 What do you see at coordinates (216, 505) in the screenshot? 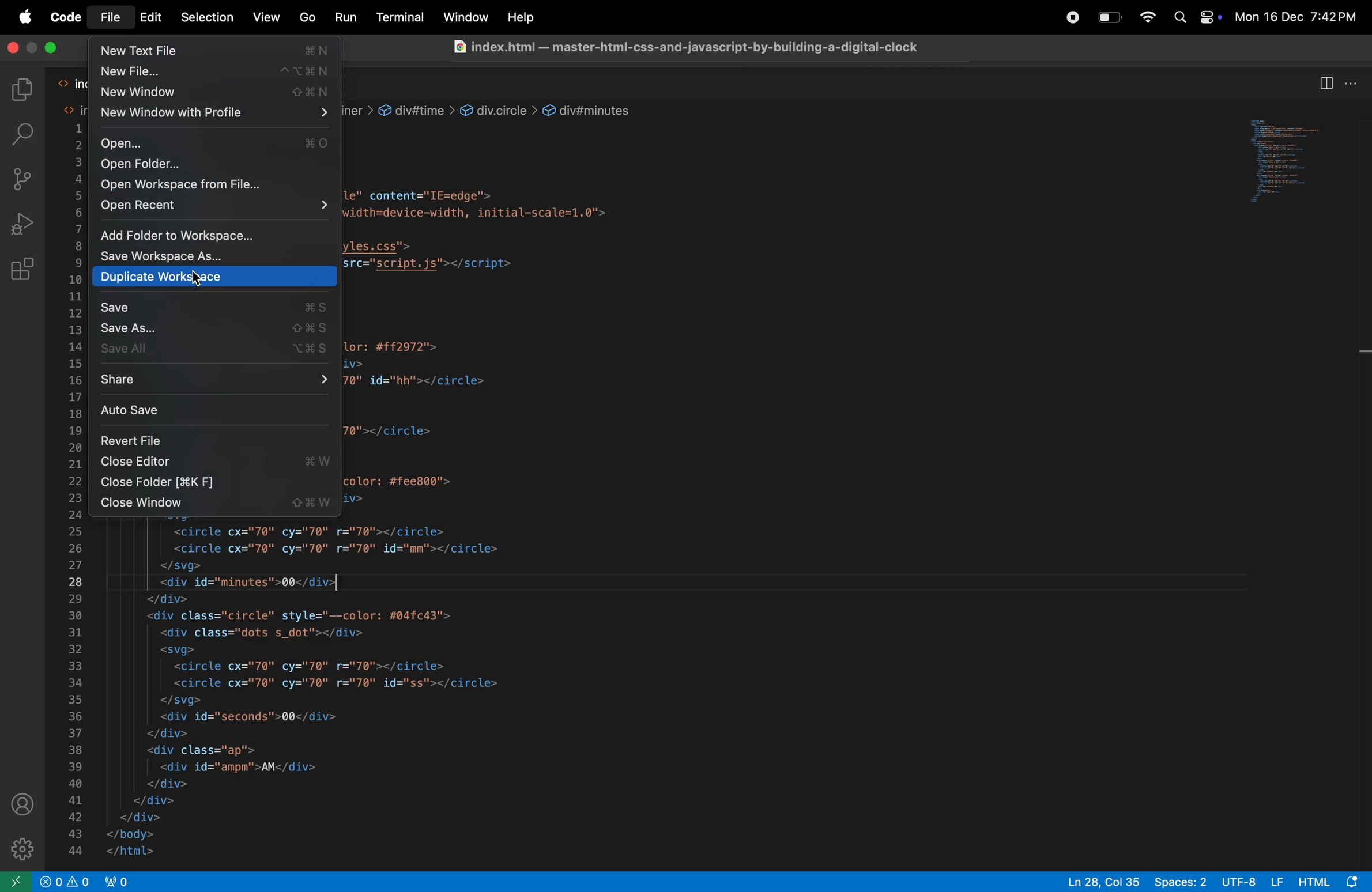
I see `close window` at bounding box center [216, 505].